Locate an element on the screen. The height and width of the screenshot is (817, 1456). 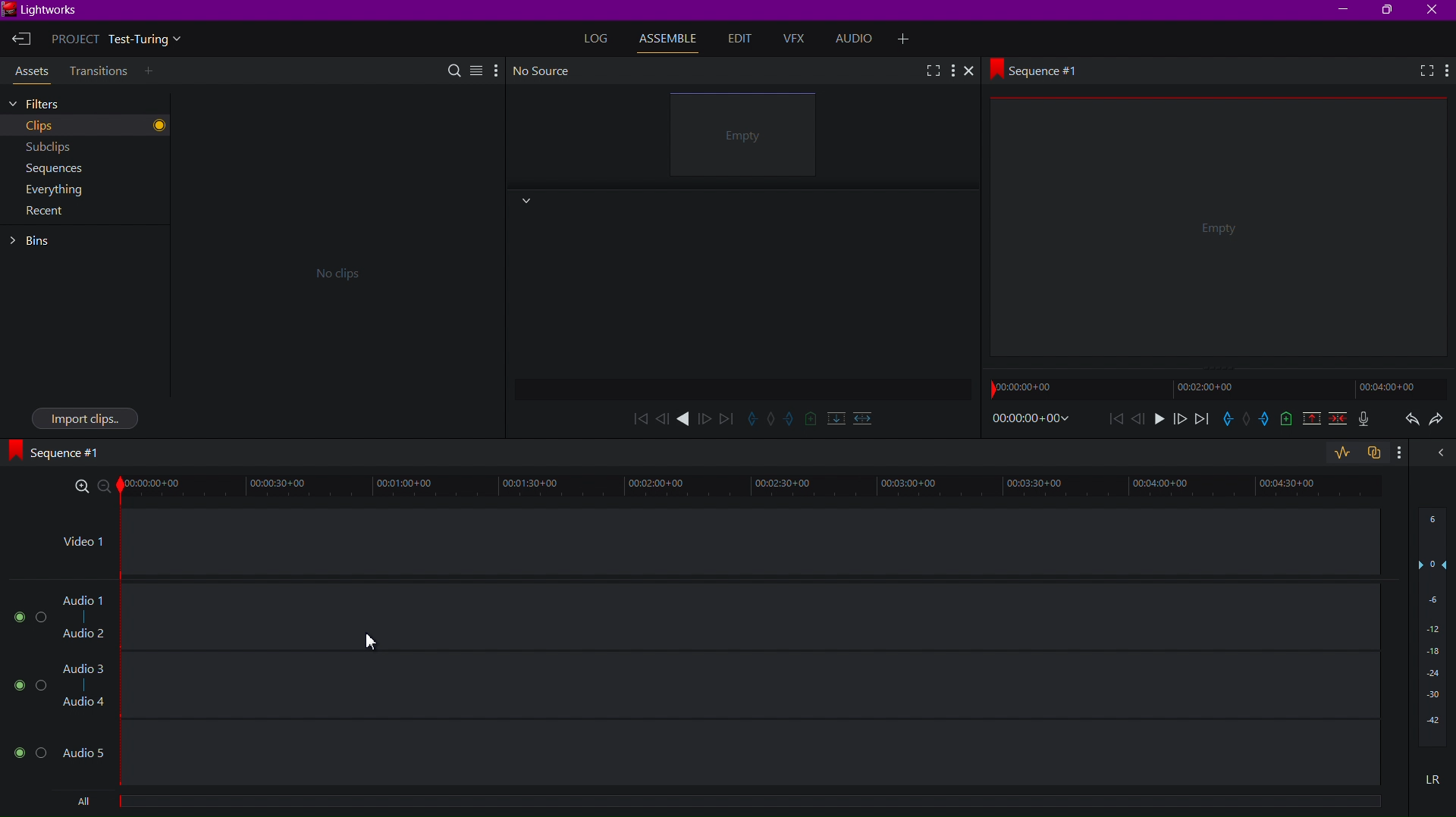
Subclips is located at coordinates (49, 146).